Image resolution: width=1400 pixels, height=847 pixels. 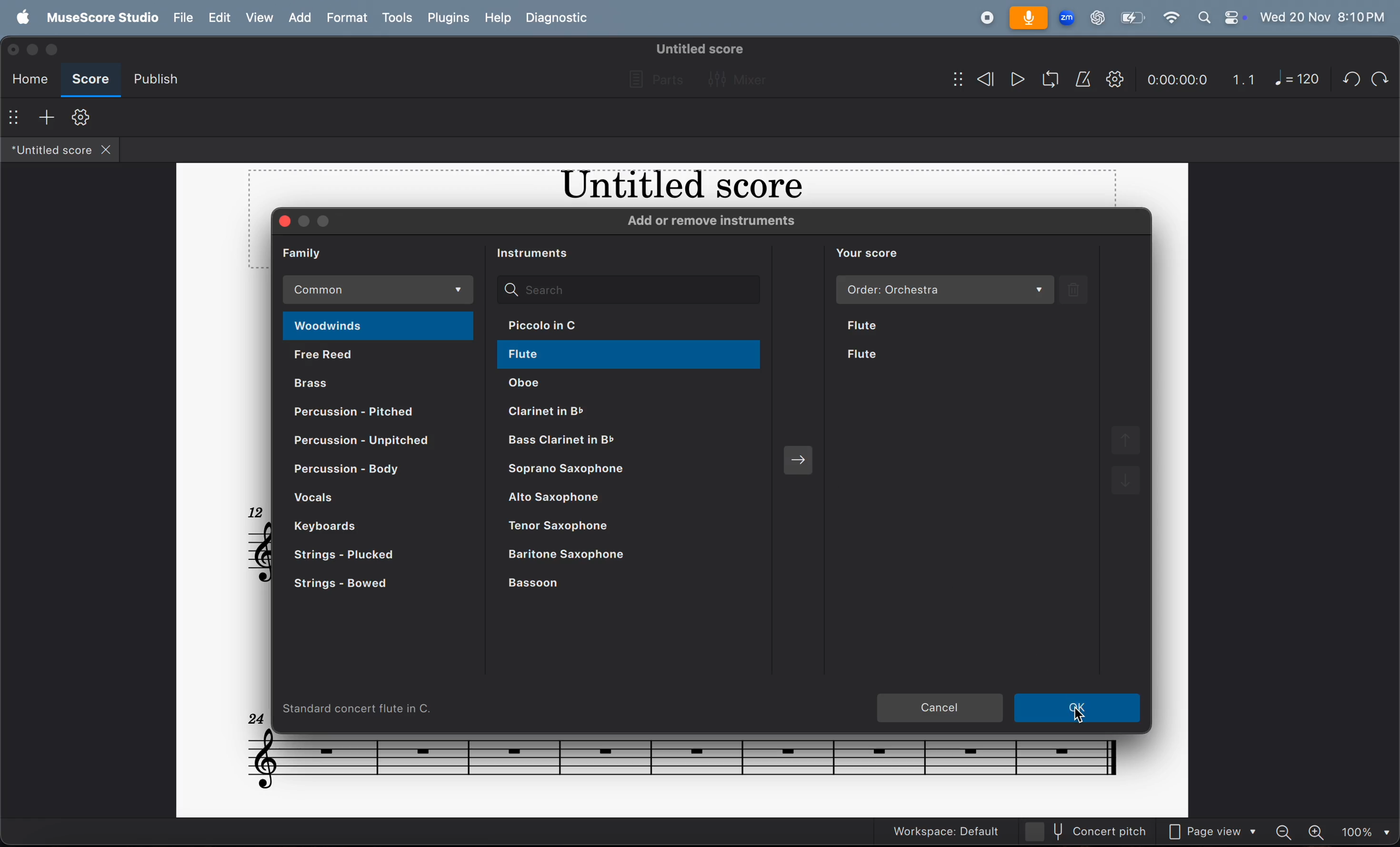 I want to click on percusion pitched, so click(x=366, y=413).